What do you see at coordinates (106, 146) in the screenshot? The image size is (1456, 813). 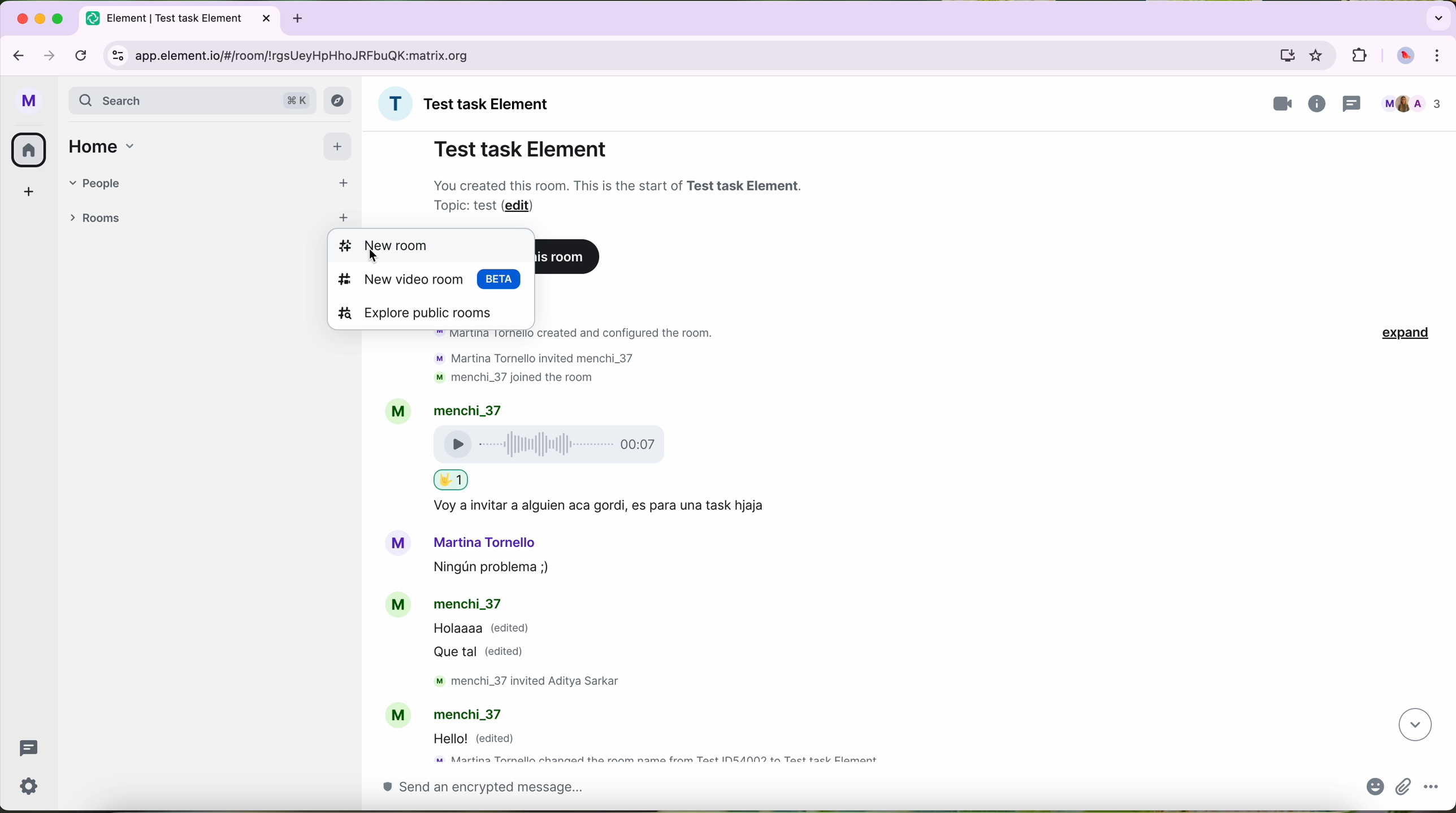 I see `home tab` at bounding box center [106, 146].